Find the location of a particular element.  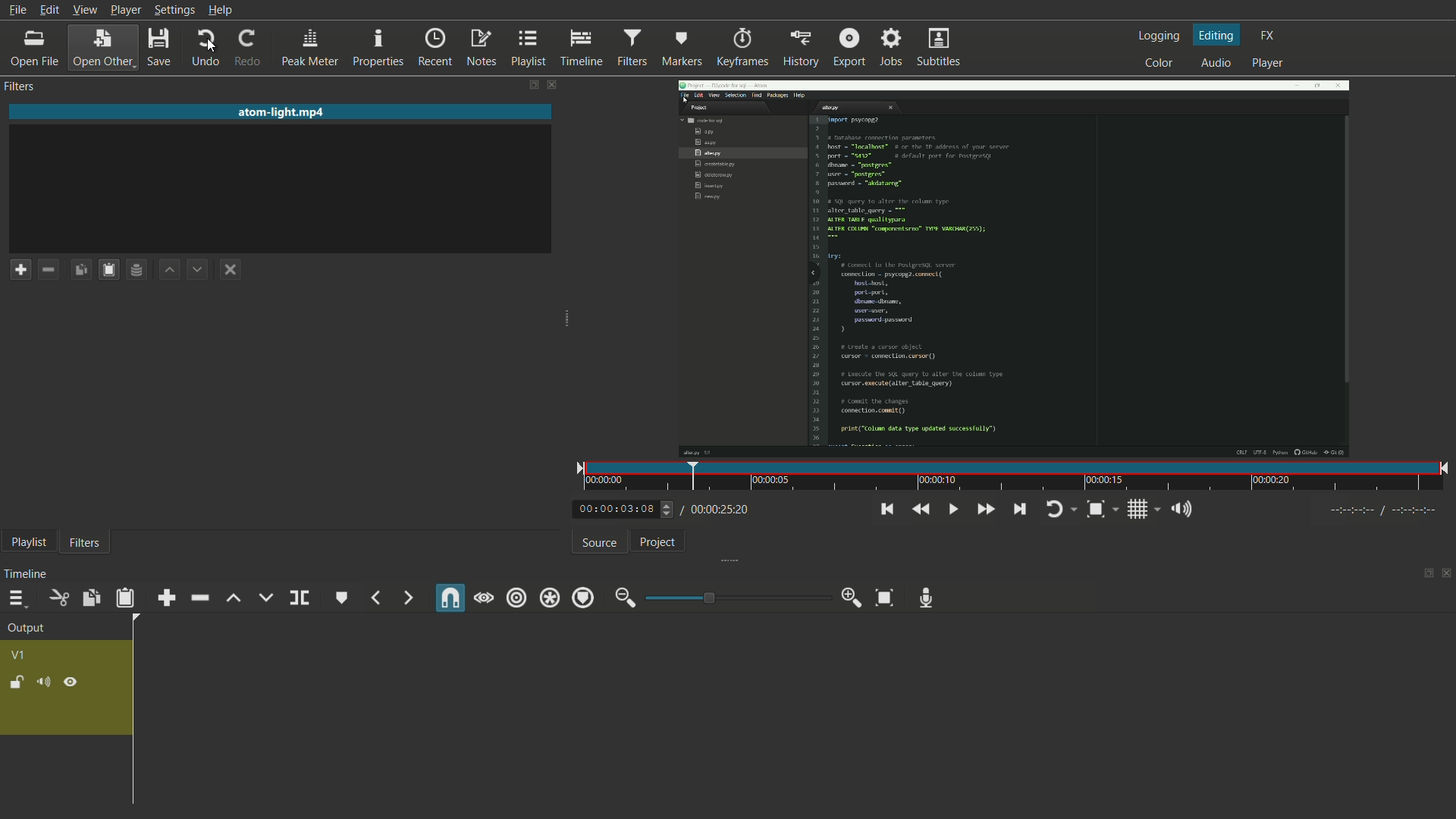

zoom timeline to fit is located at coordinates (886, 598).